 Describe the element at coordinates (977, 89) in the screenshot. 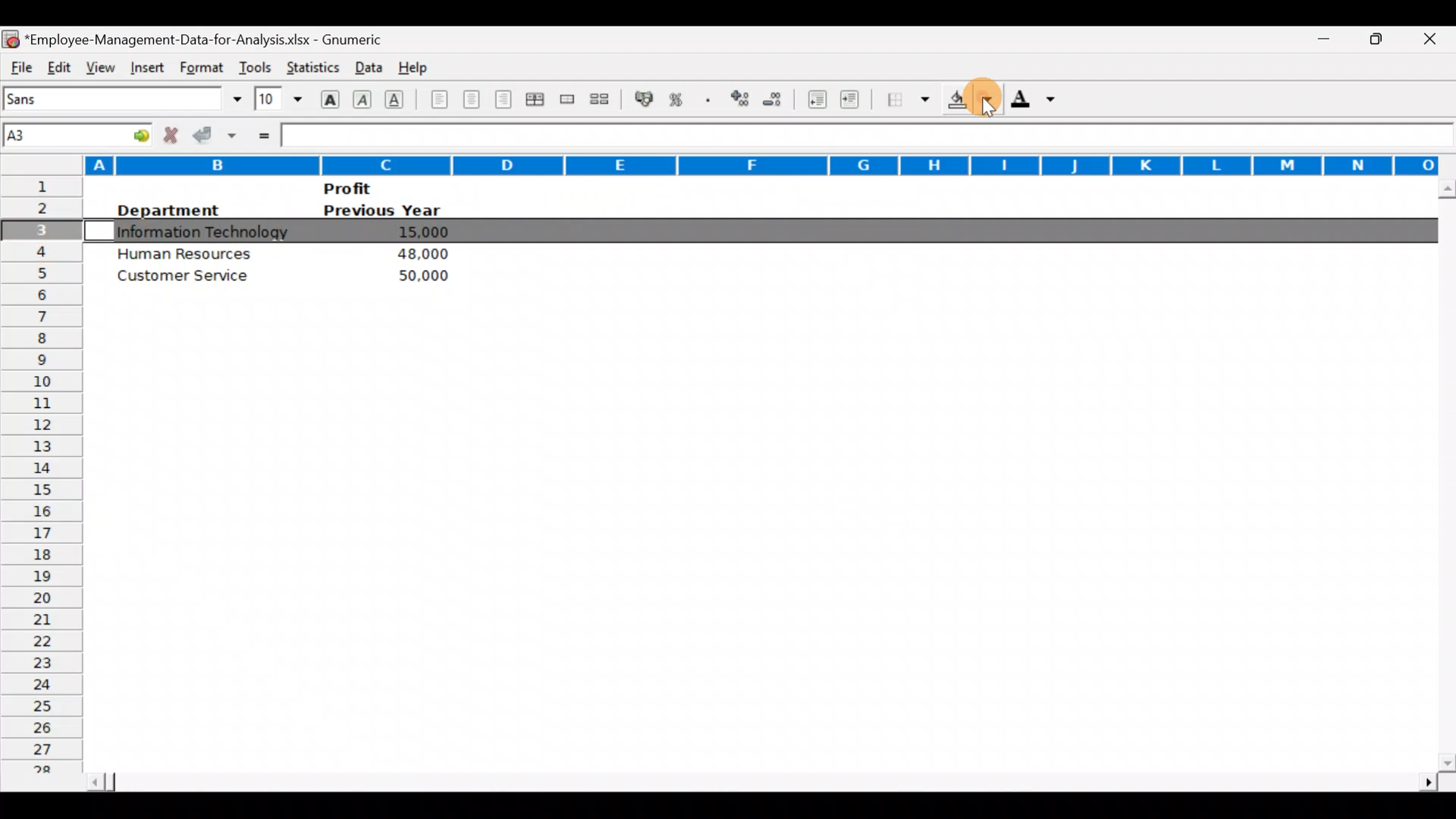

I see `Cursor on background` at that location.